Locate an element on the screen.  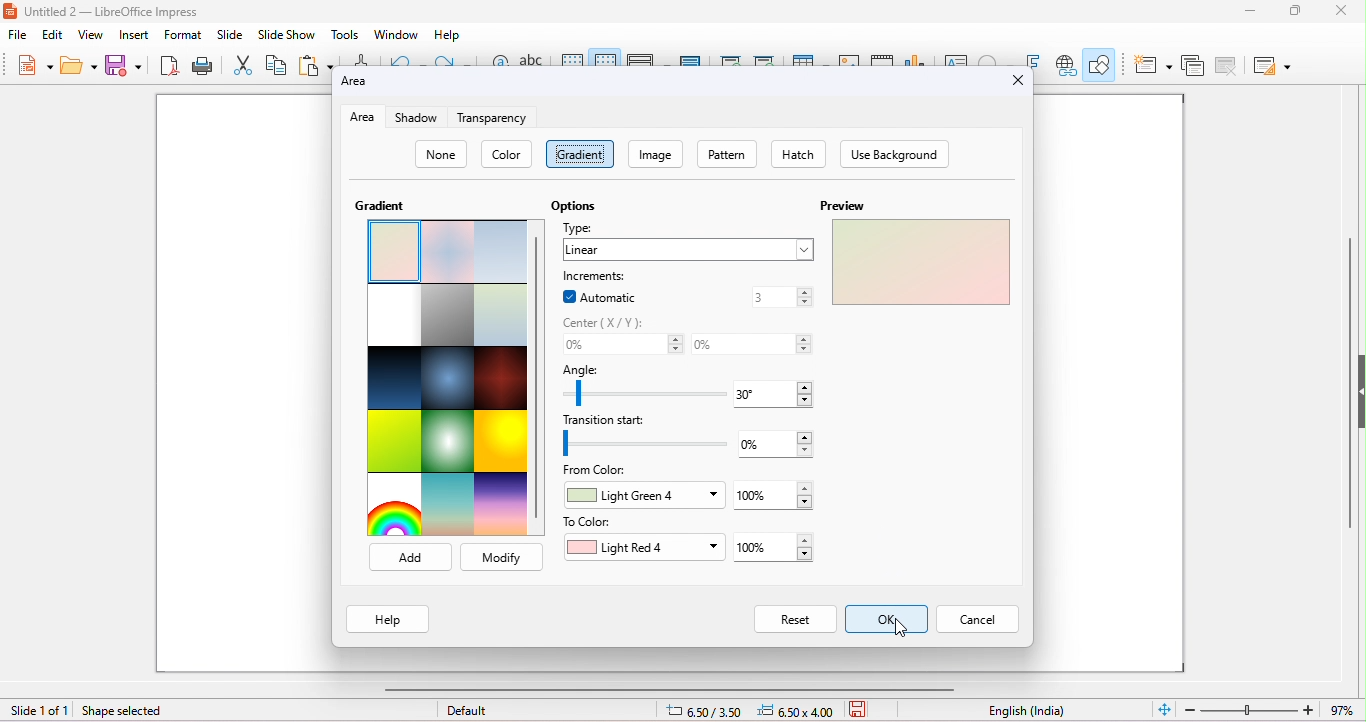
display views is located at coordinates (644, 59).